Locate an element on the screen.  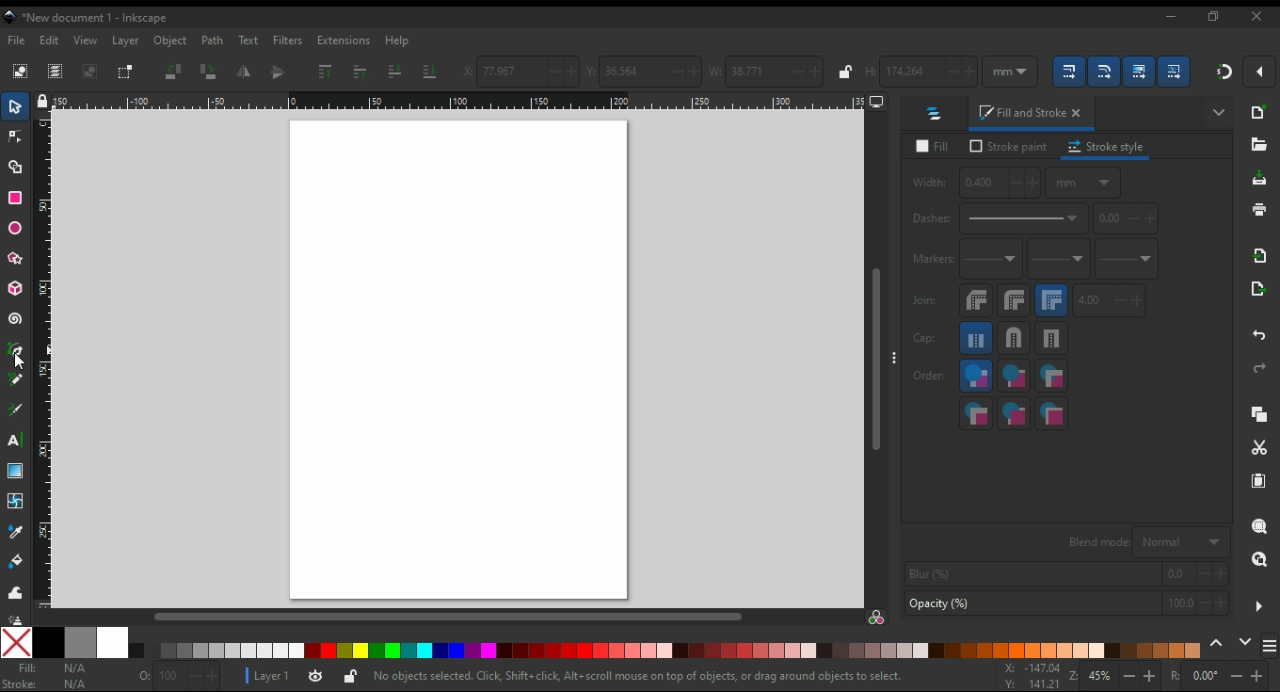
calligraphy tool is located at coordinates (16, 409).